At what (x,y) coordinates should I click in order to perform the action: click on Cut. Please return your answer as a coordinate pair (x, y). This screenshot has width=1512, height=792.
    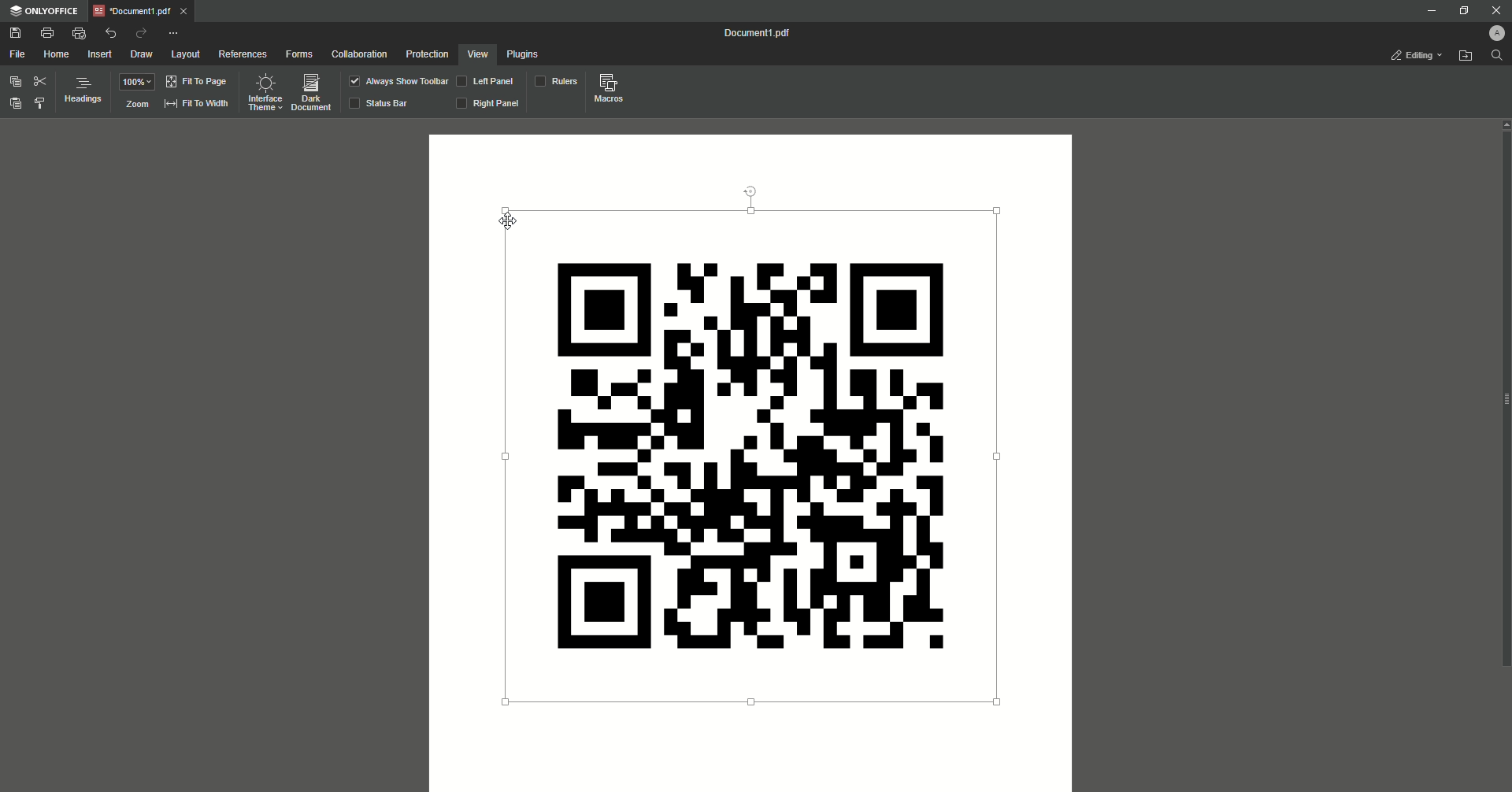
    Looking at the image, I should click on (39, 82).